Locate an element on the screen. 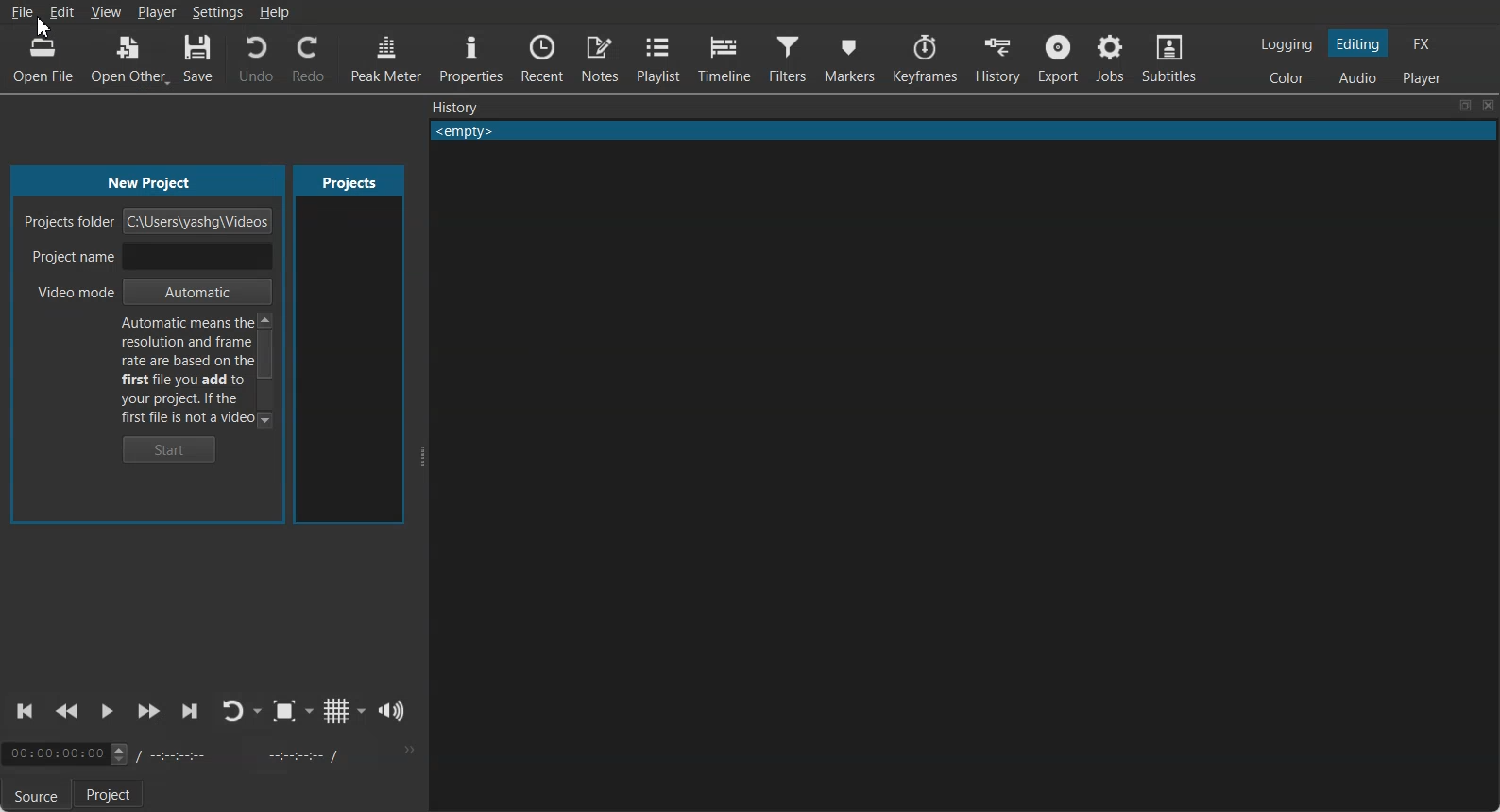 The width and height of the screenshot is (1500, 812). Show volume control is located at coordinates (392, 711).